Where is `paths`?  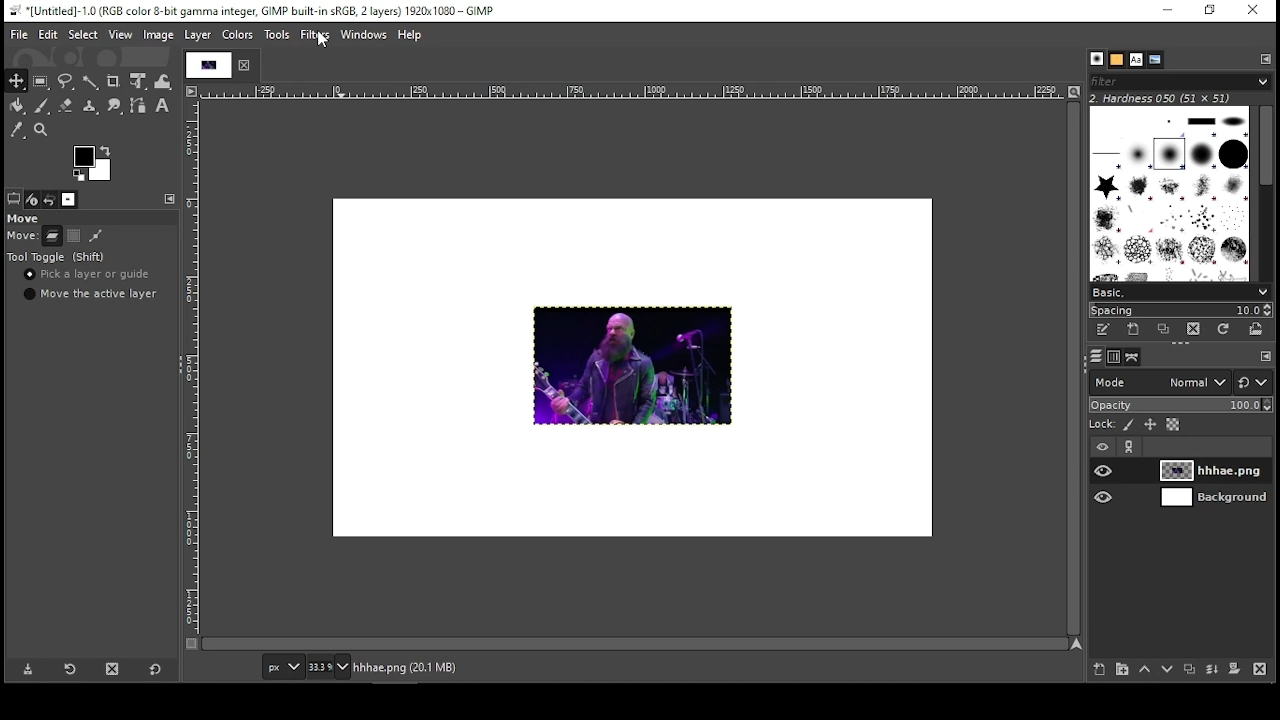
paths is located at coordinates (1134, 356).